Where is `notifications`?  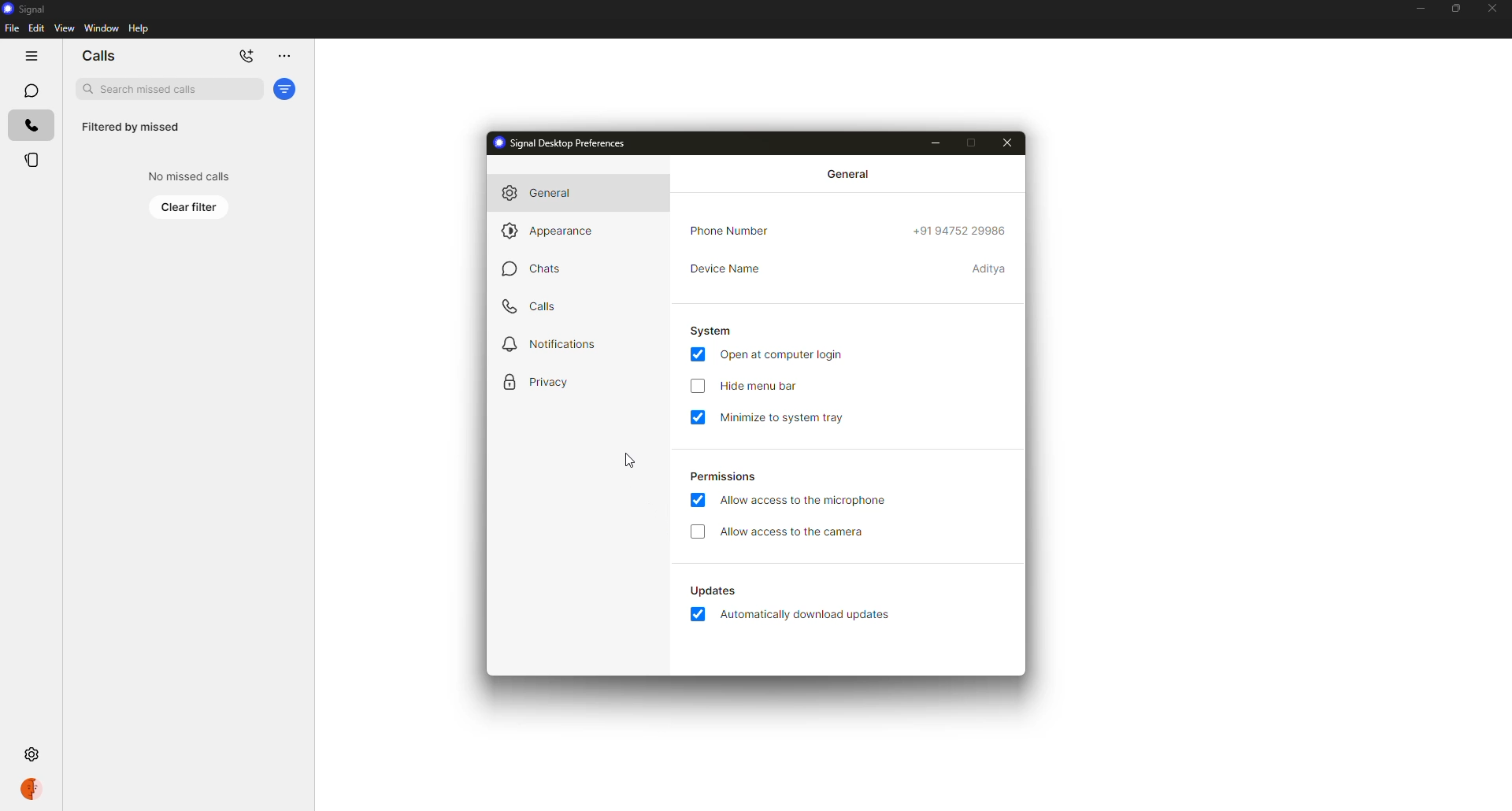 notifications is located at coordinates (551, 345).